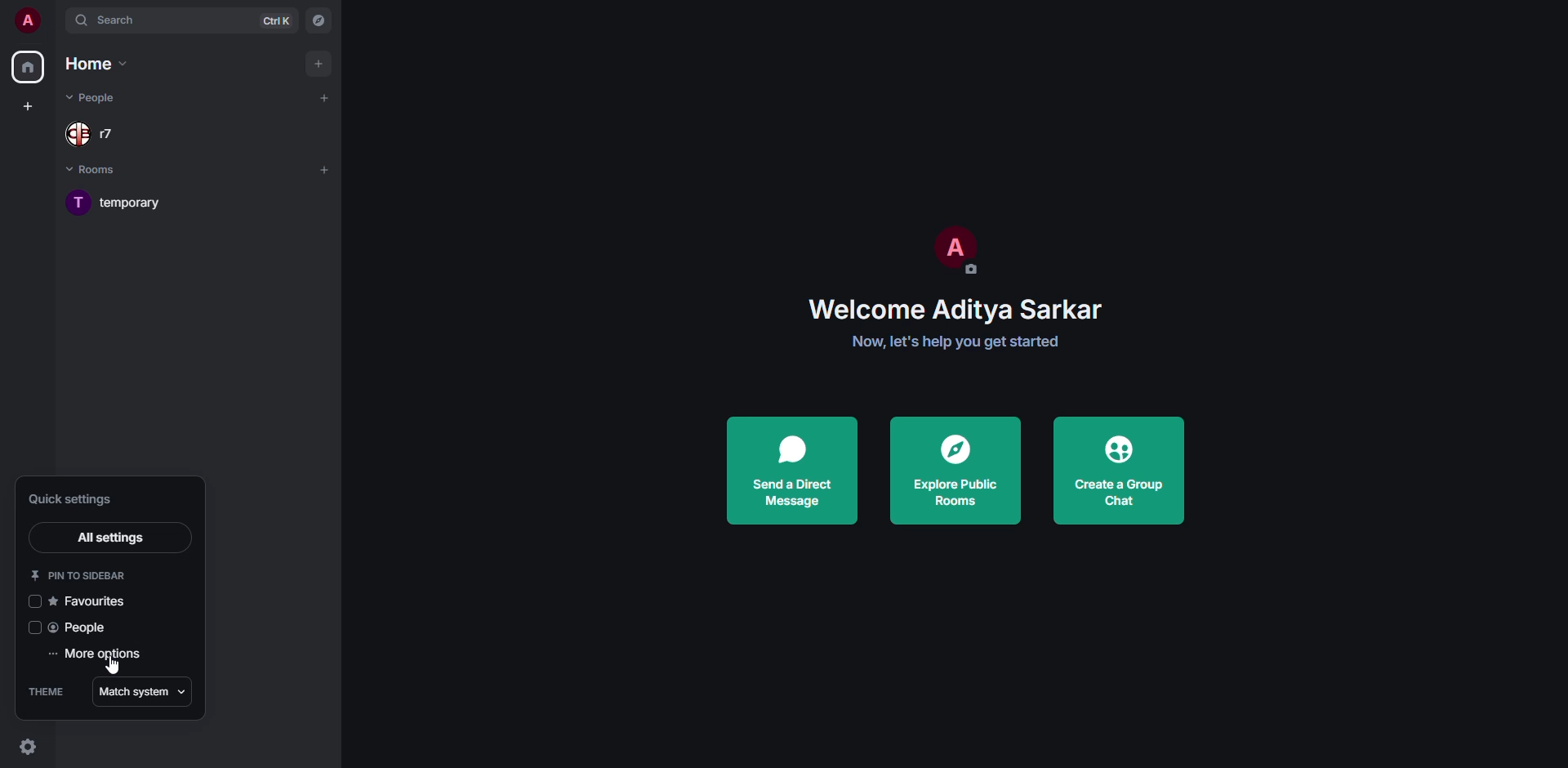 The image size is (1568, 768). What do you see at coordinates (28, 19) in the screenshot?
I see `a` at bounding box center [28, 19].